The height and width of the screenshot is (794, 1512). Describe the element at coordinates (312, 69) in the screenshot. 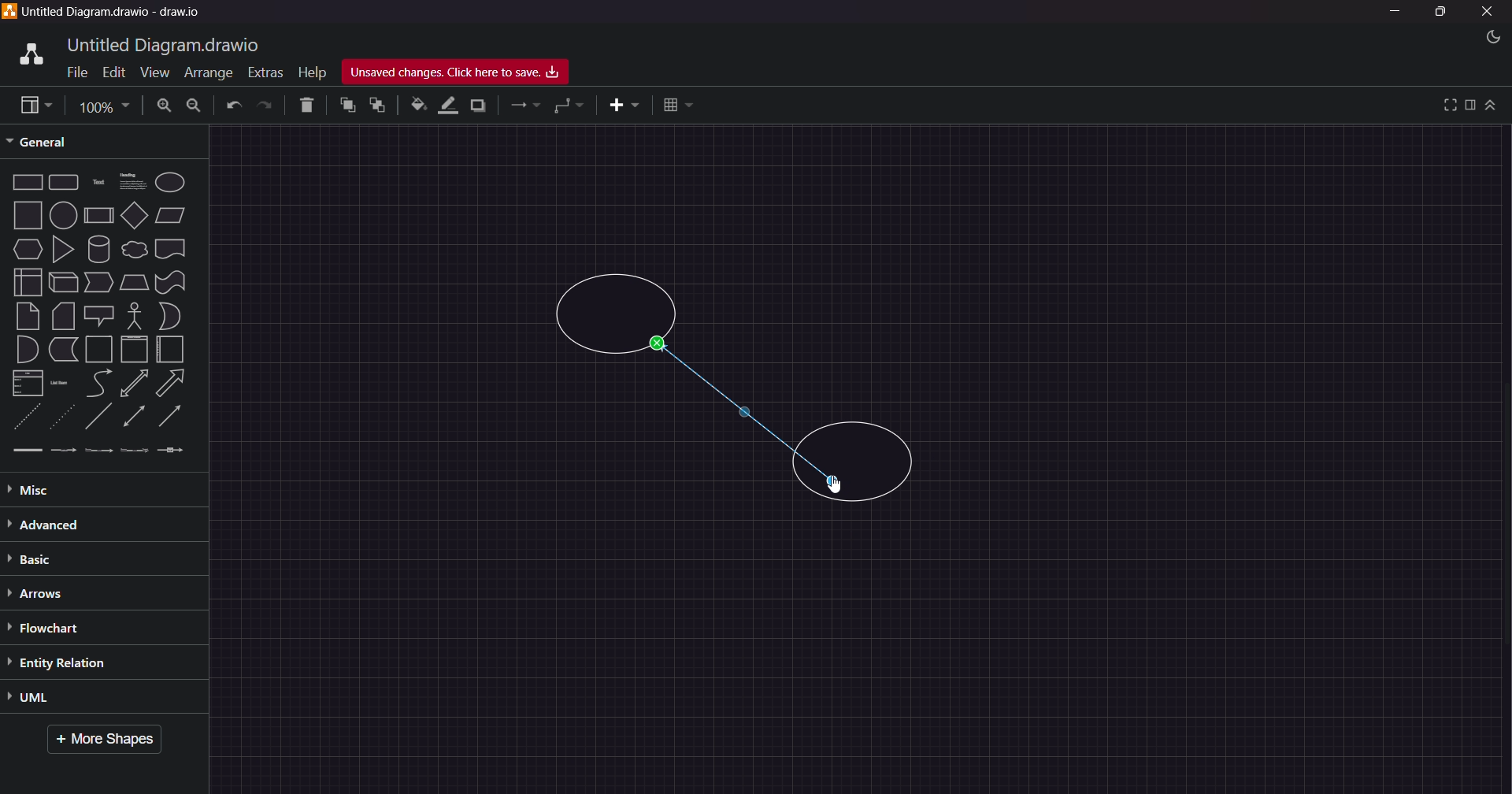

I see `Help` at that location.